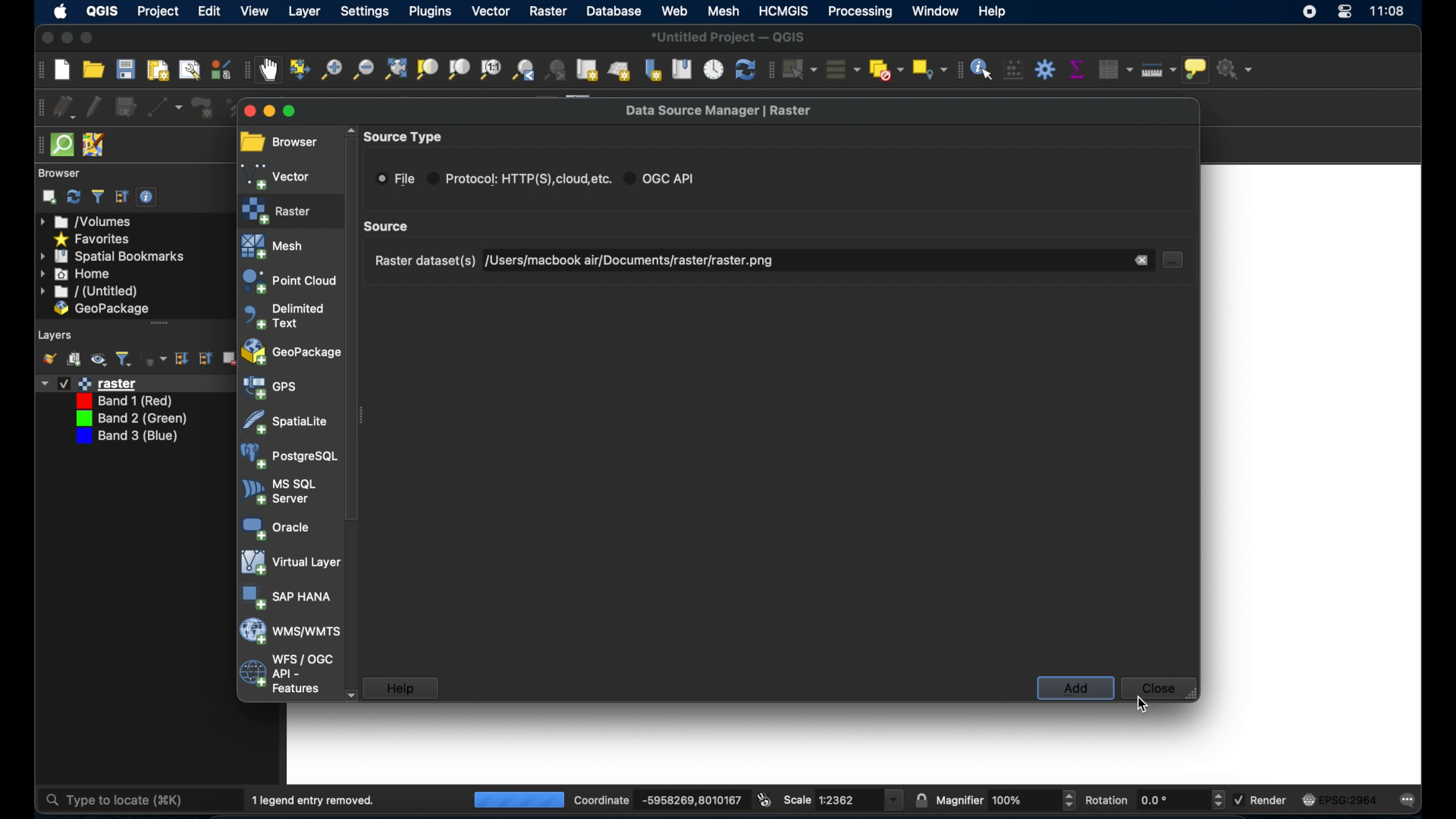 This screenshot has width=1456, height=819. Describe the element at coordinates (74, 359) in the screenshot. I see `add group` at that location.